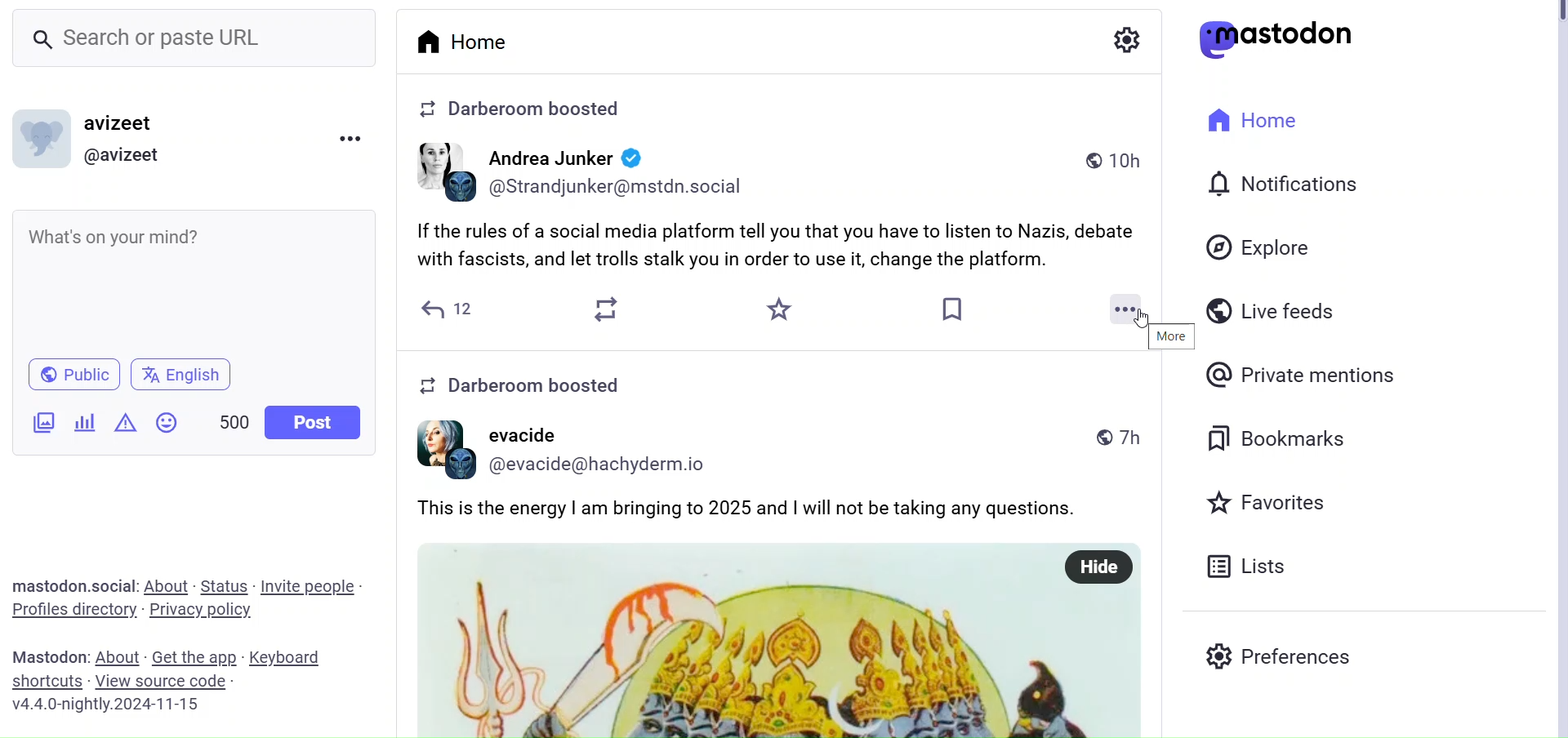 Image resolution: width=1568 pixels, height=738 pixels. I want to click on time, so click(1114, 438).